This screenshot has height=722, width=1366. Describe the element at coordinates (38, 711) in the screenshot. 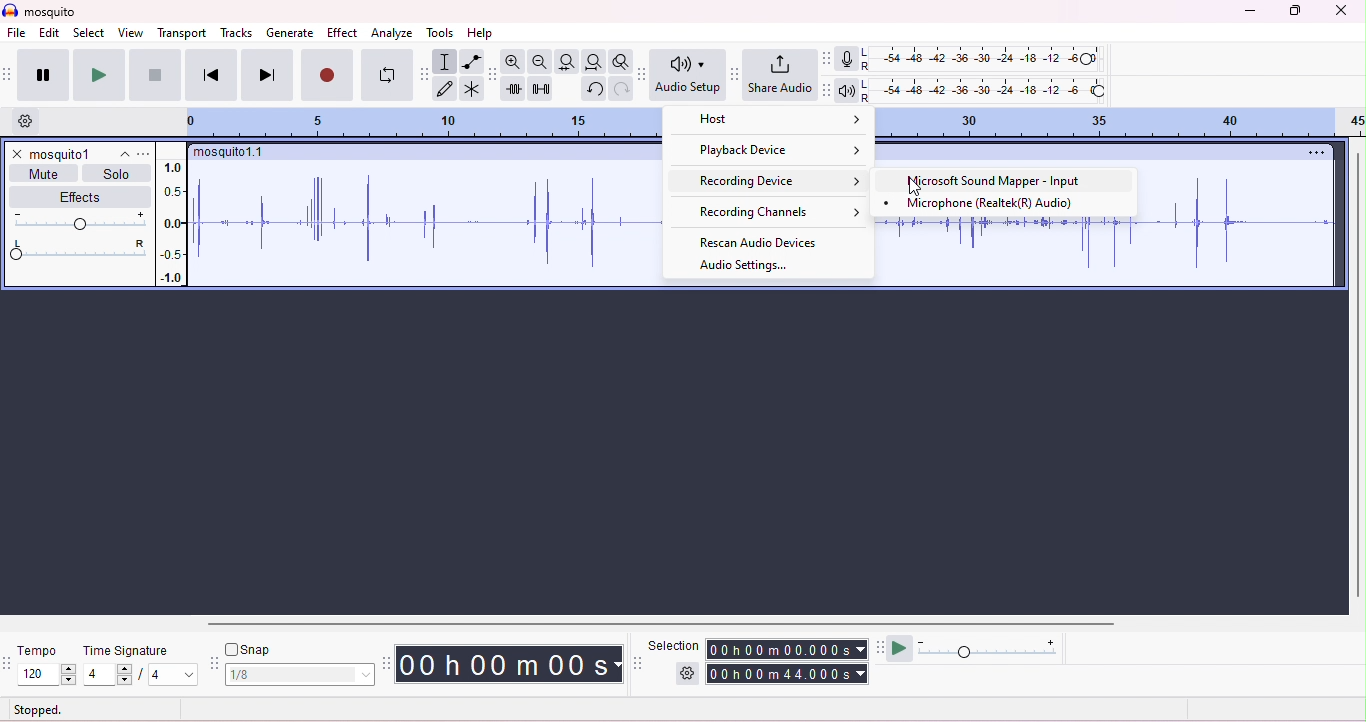

I see `stopped` at that location.